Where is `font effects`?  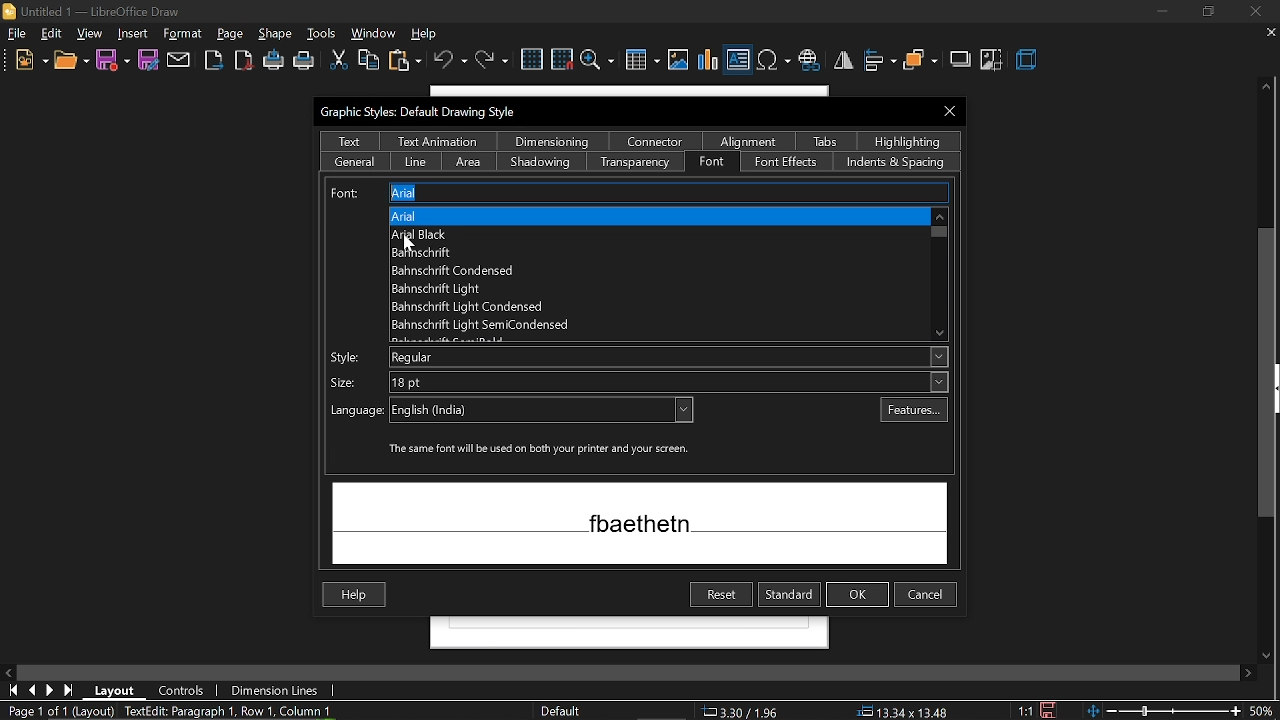
font effects is located at coordinates (785, 163).